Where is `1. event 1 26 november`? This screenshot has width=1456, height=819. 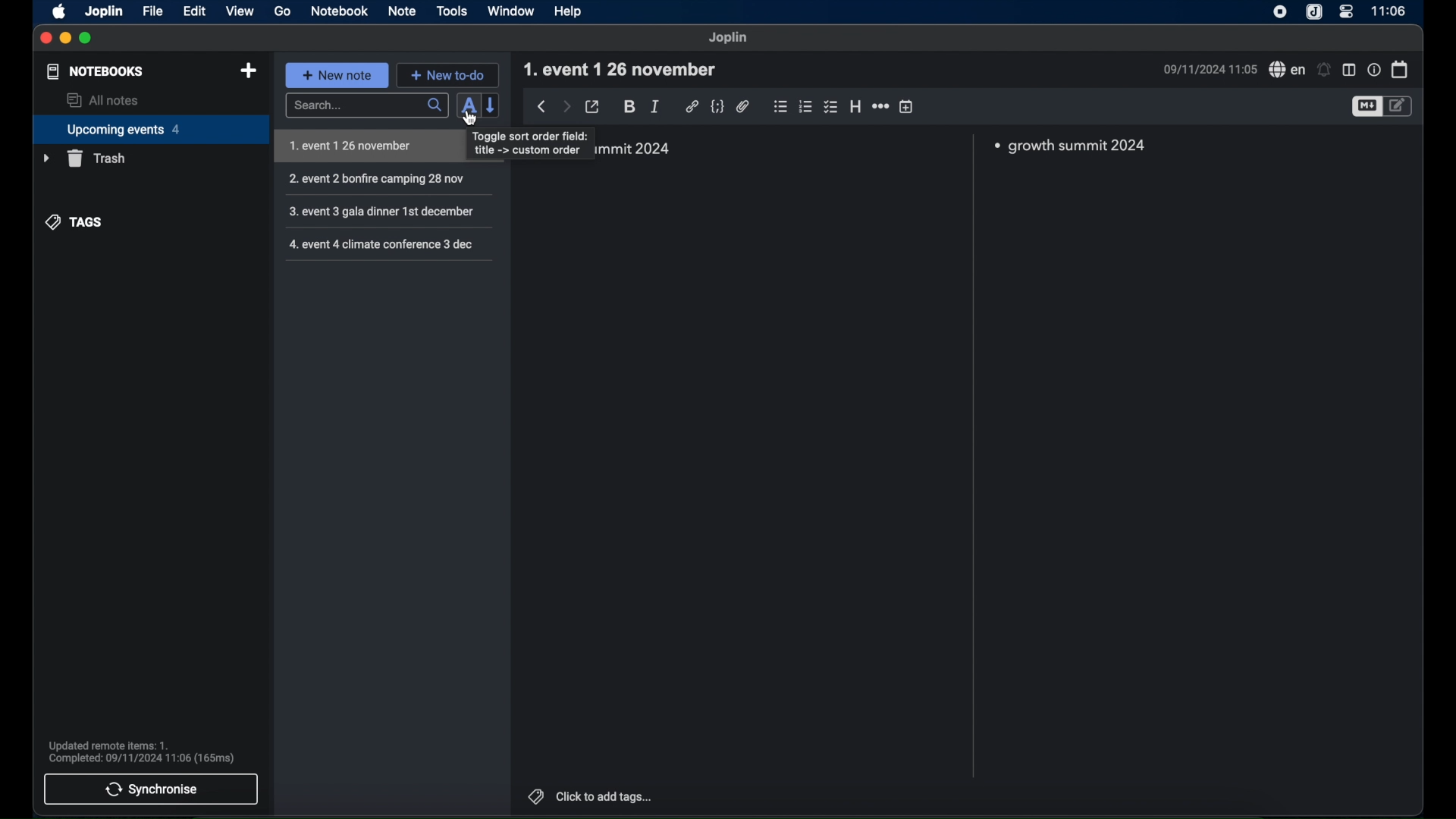
1. event 1 26 november is located at coordinates (625, 67).